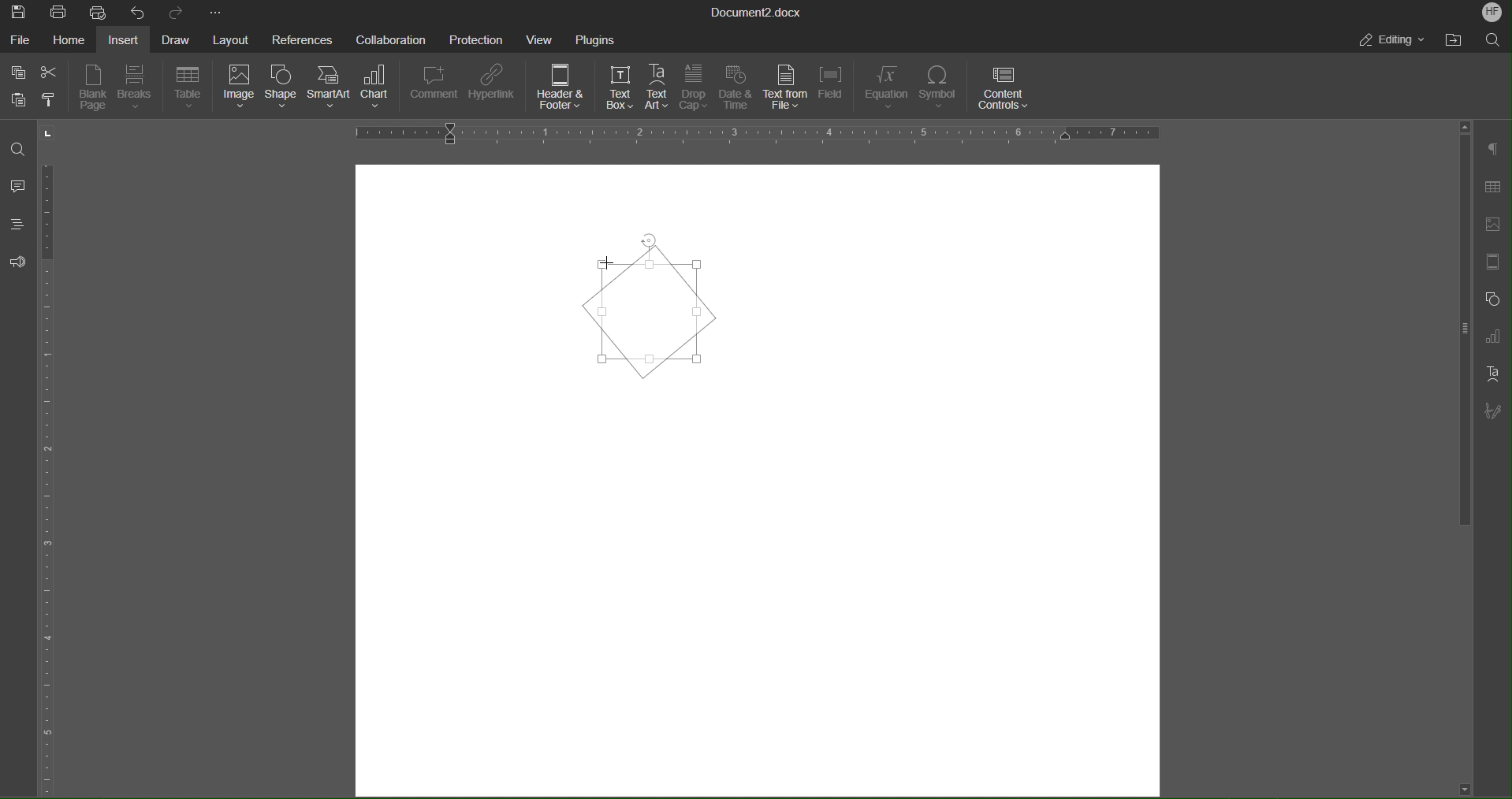 This screenshot has width=1512, height=799. What do you see at coordinates (229, 39) in the screenshot?
I see `Layout` at bounding box center [229, 39].